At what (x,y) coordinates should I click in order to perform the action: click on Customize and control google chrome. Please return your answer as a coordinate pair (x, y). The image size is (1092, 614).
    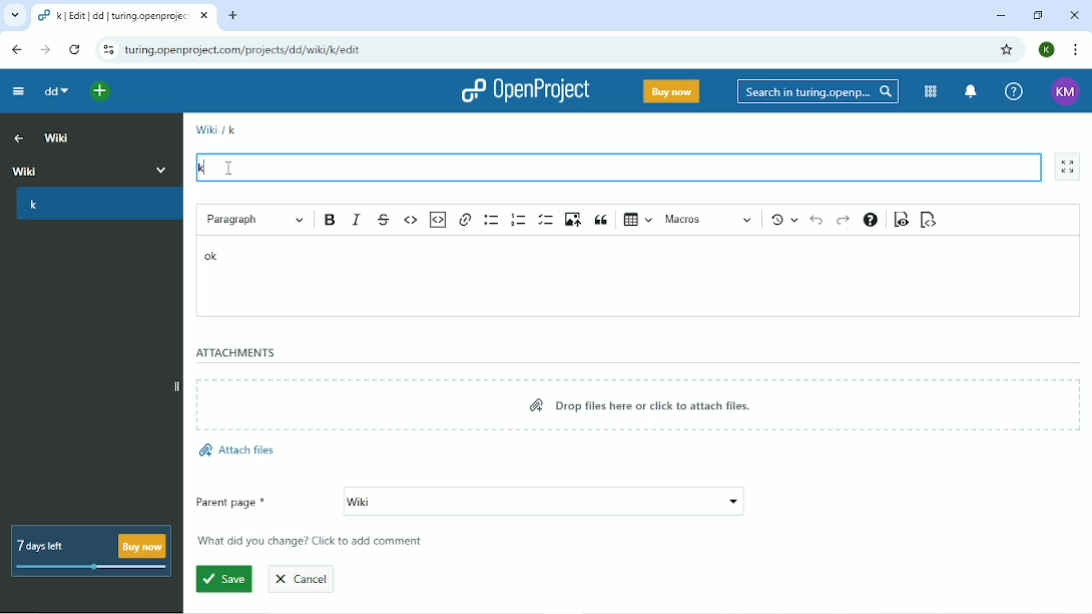
    Looking at the image, I should click on (1074, 50).